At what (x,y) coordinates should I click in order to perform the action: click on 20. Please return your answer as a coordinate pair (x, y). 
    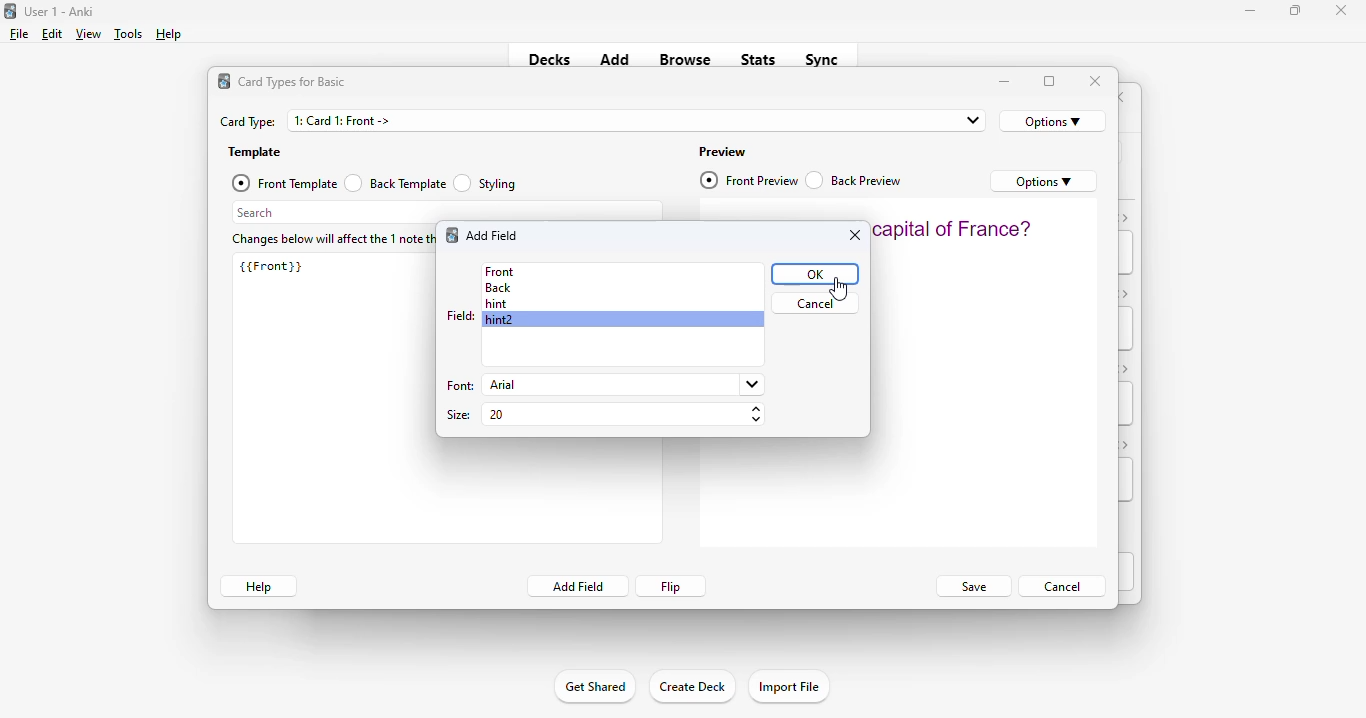
    Looking at the image, I should click on (623, 413).